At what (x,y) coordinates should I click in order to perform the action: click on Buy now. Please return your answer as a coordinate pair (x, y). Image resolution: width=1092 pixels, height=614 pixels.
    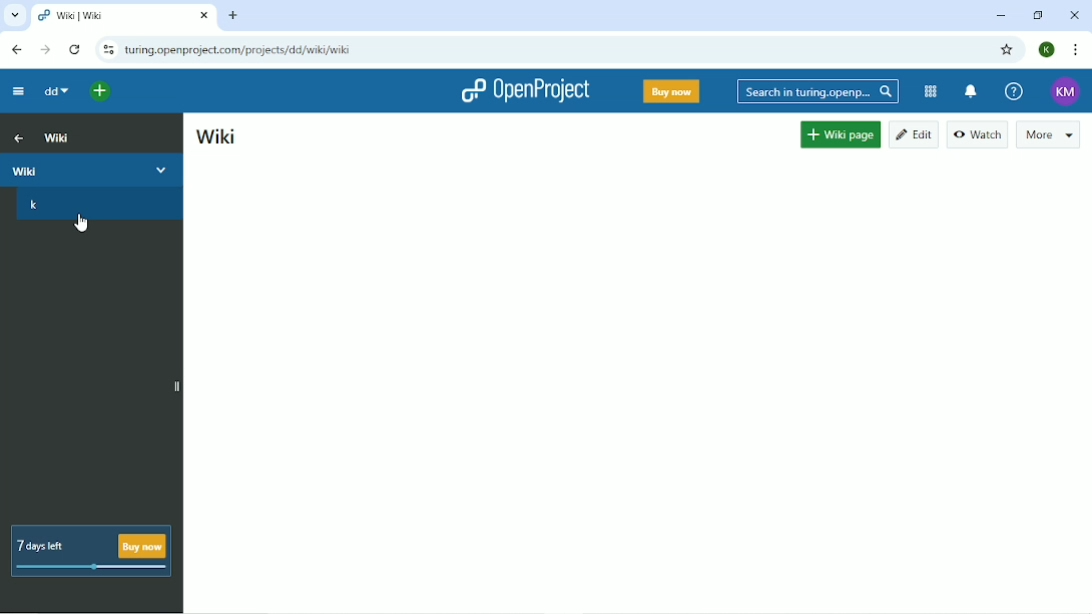
    Looking at the image, I should click on (671, 91).